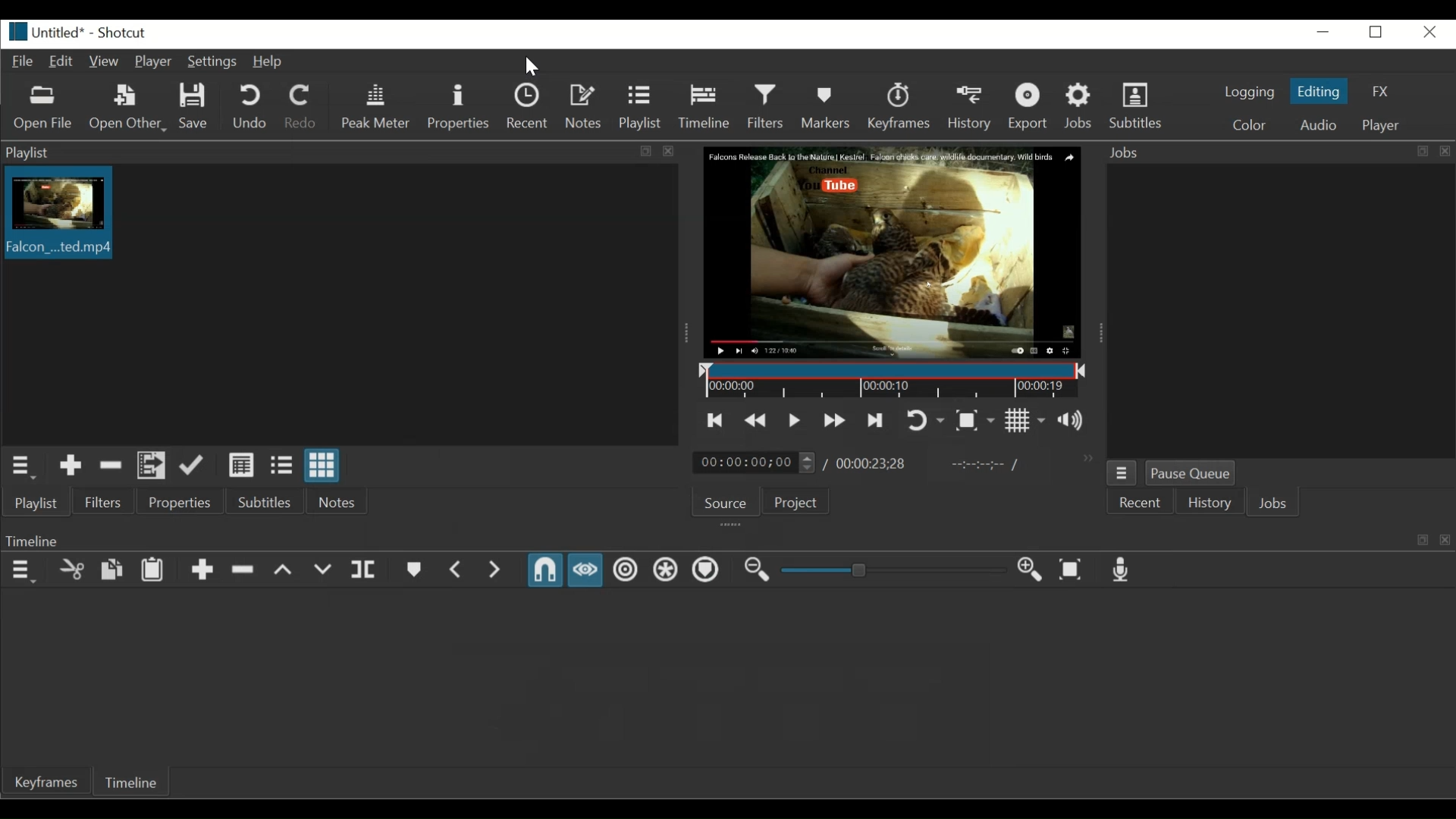  I want to click on Keyframes, so click(45, 783).